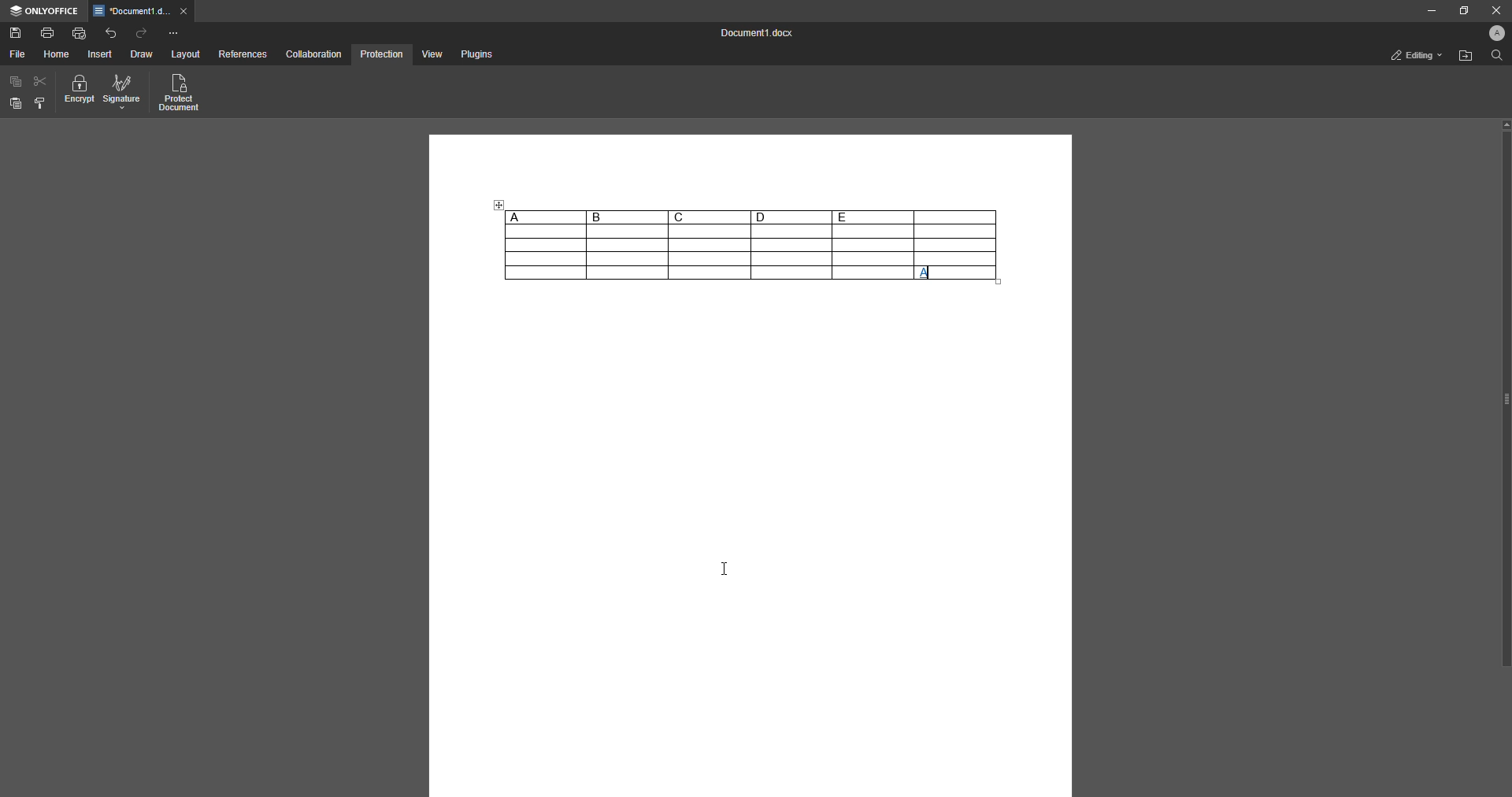 This screenshot has width=1512, height=797. What do you see at coordinates (1505, 393) in the screenshot?
I see `vertical scrollbar` at bounding box center [1505, 393].